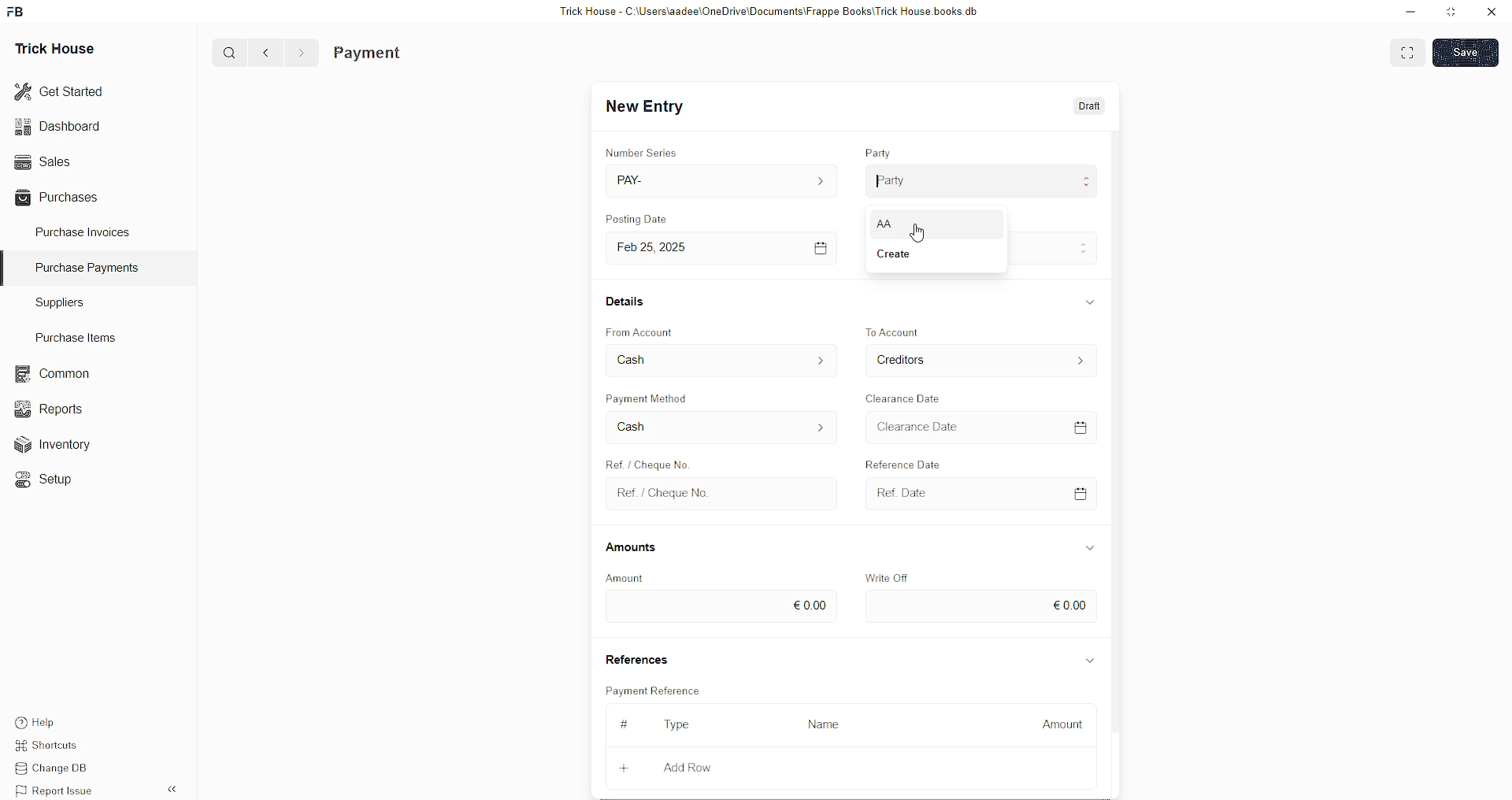  Describe the element at coordinates (1469, 51) in the screenshot. I see `SAVE` at that location.